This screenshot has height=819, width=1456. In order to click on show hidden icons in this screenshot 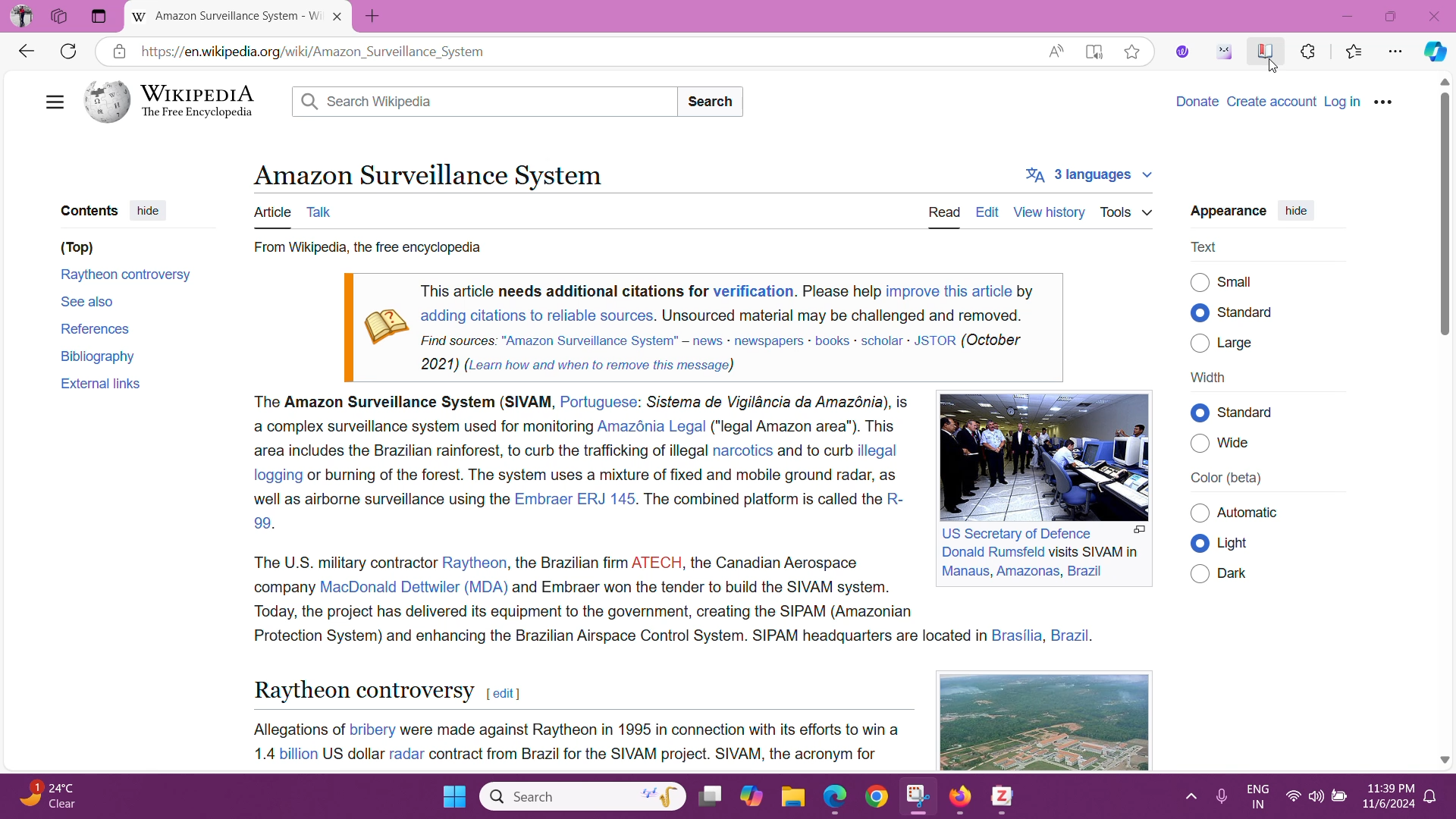, I will do `click(1188, 796)`.